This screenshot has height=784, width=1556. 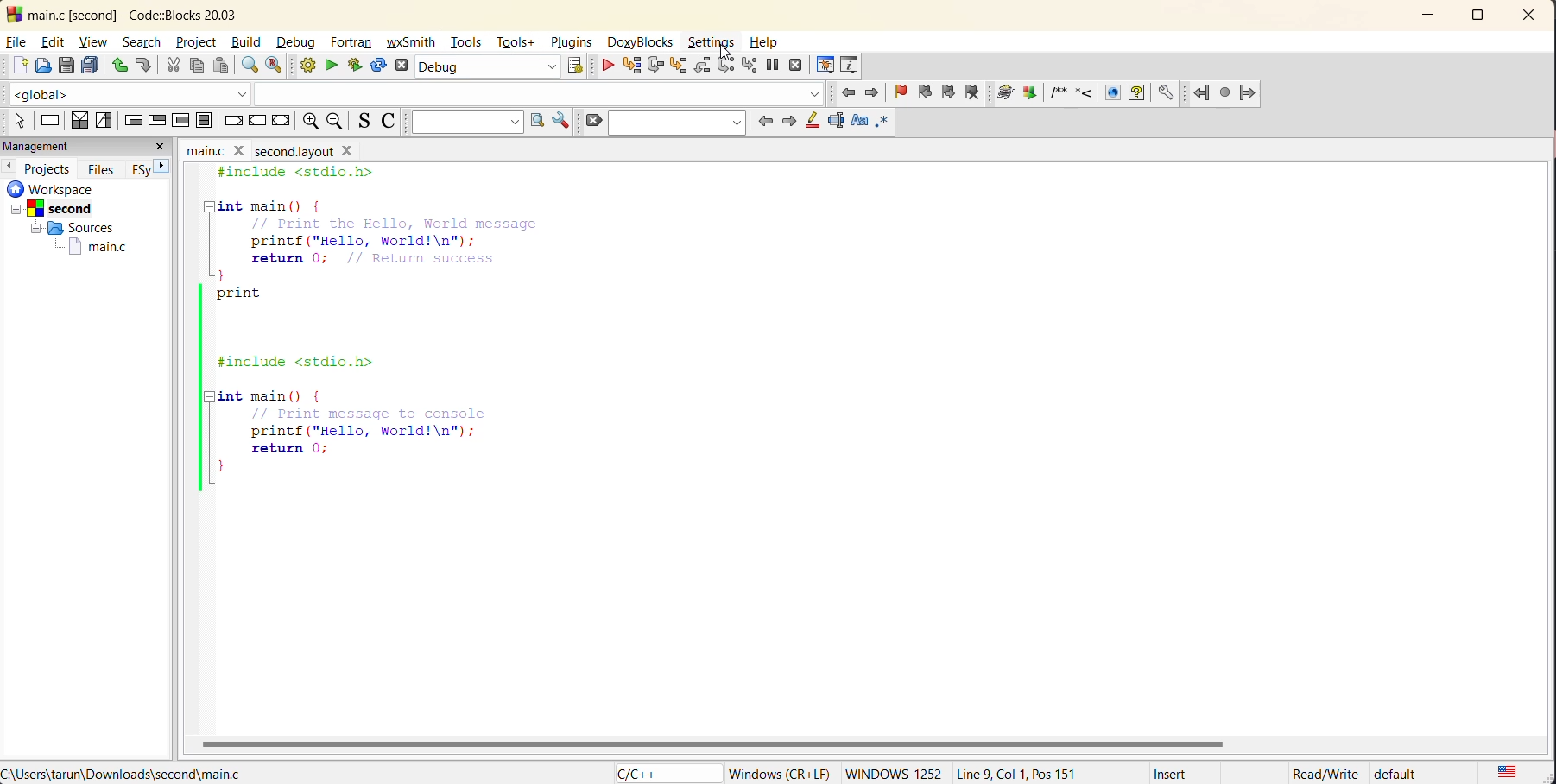 What do you see at coordinates (117, 64) in the screenshot?
I see `undo` at bounding box center [117, 64].